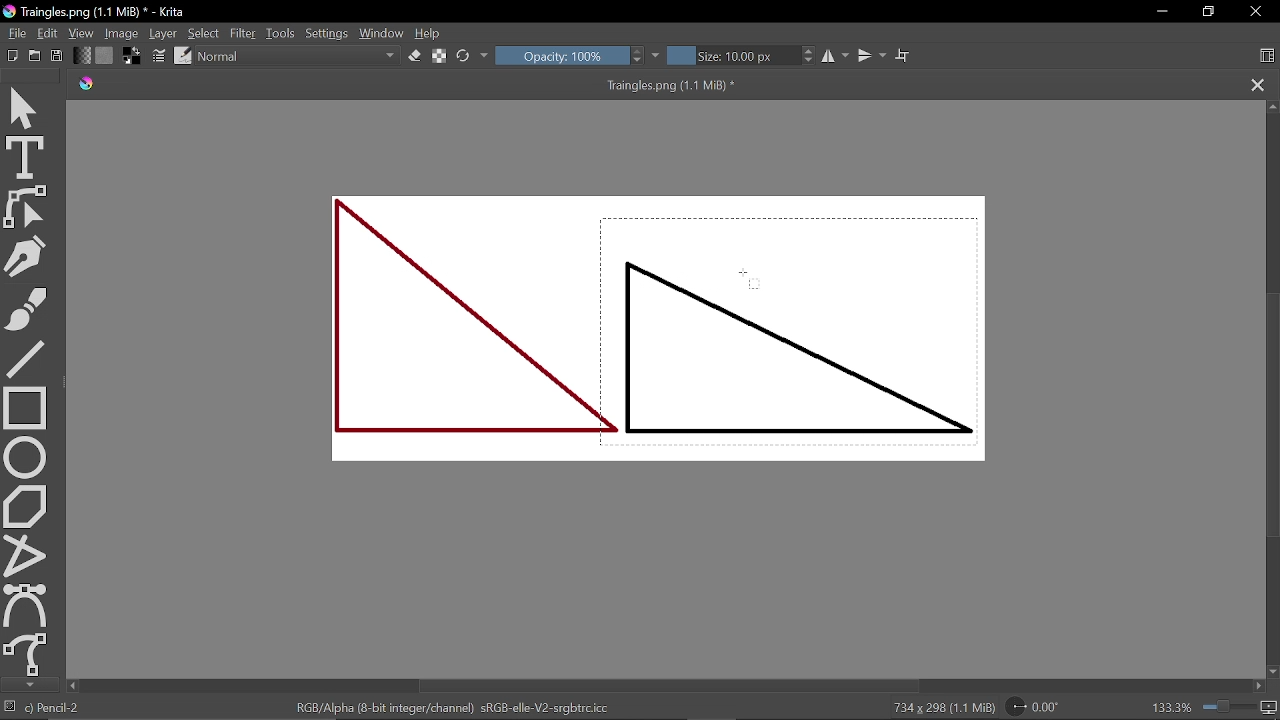 This screenshot has width=1280, height=720. I want to click on Move up, so click(1272, 106).